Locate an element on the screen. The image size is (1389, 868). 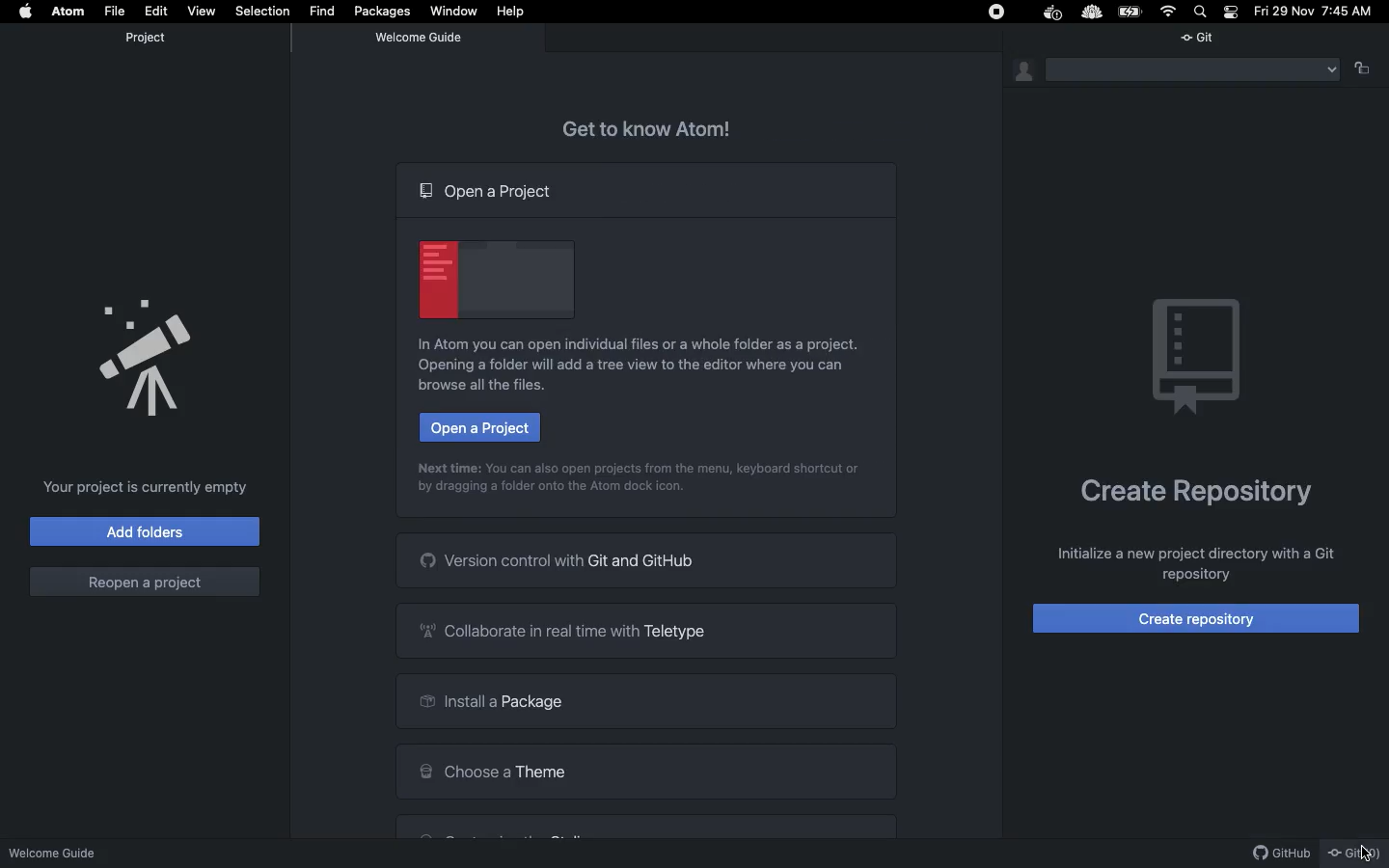
Stop is located at coordinates (994, 13).